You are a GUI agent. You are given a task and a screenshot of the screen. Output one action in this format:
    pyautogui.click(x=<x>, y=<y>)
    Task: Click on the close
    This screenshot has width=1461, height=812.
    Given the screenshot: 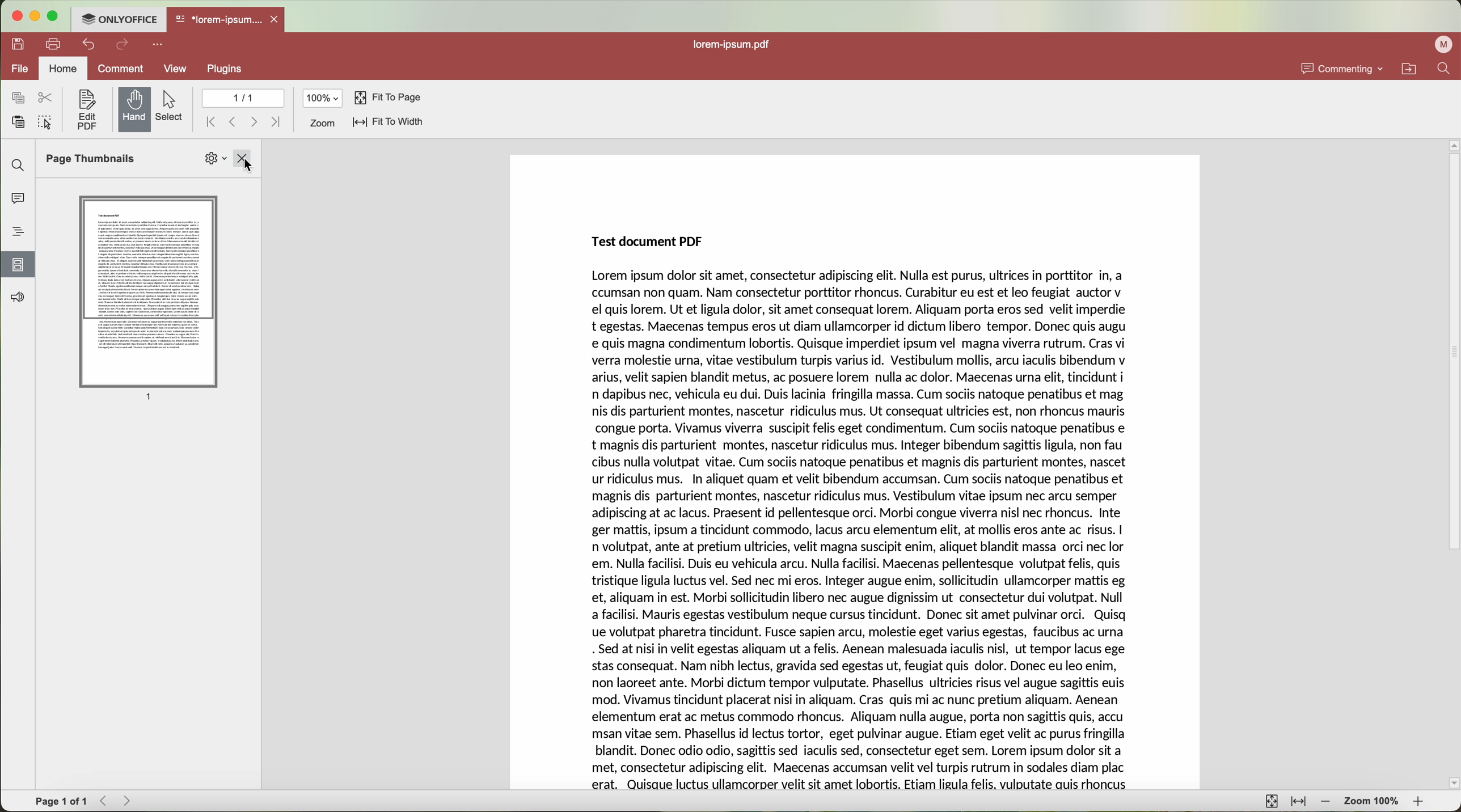 What is the action you would take?
    pyautogui.click(x=246, y=158)
    